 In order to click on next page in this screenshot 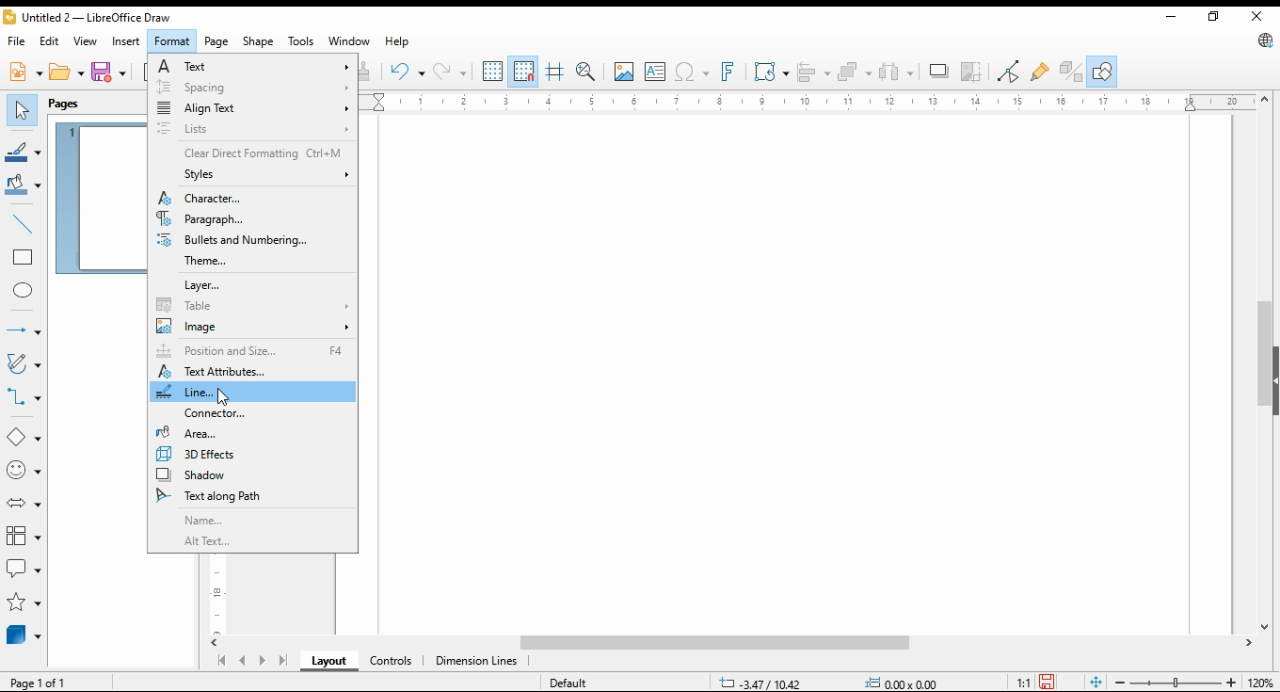, I will do `click(261, 661)`.